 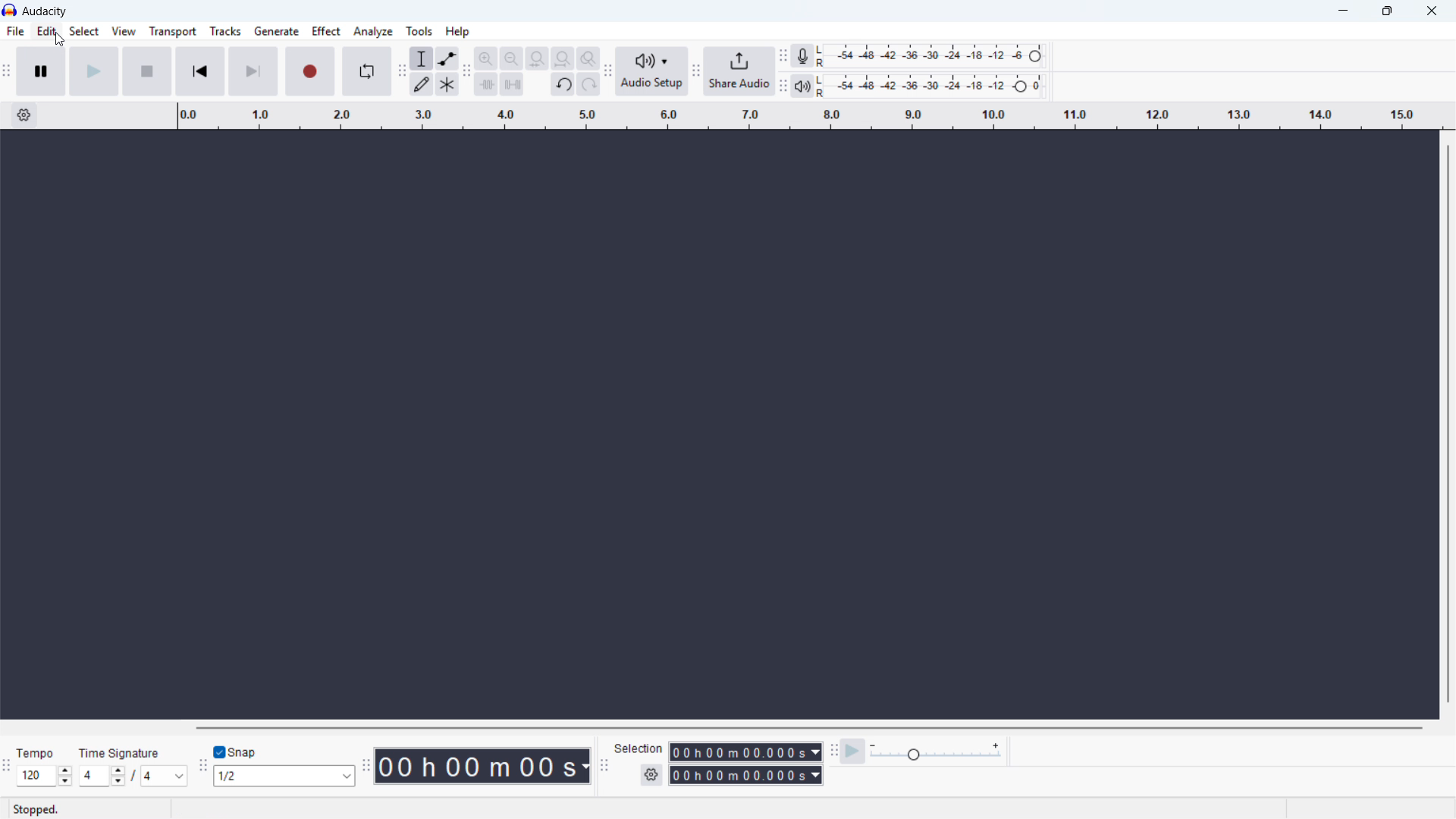 What do you see at coordinates (652, 775) in the screenshot?
I see `selection settings` at bounding box center [652, 775].